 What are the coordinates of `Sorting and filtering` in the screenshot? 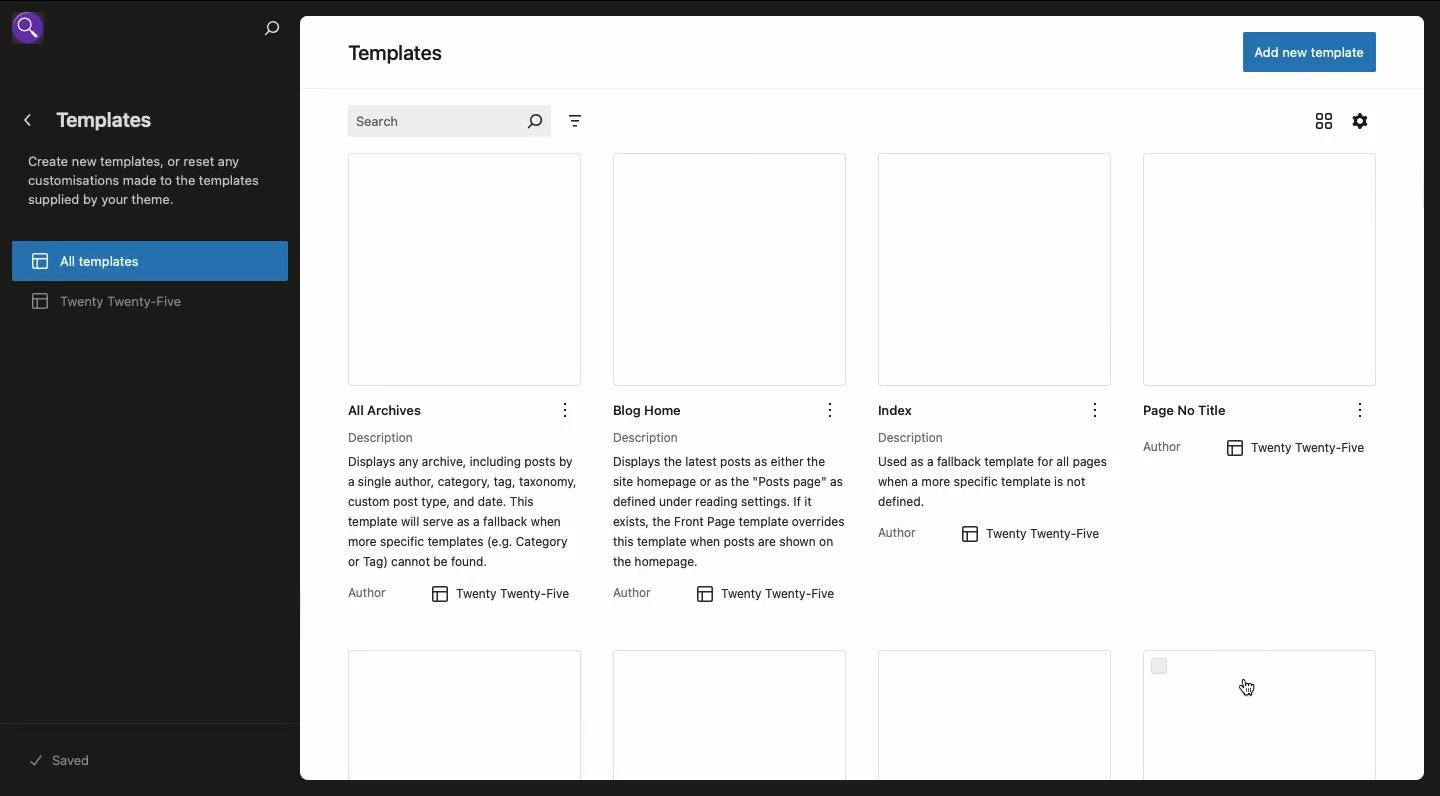 It's located at (585, 122).